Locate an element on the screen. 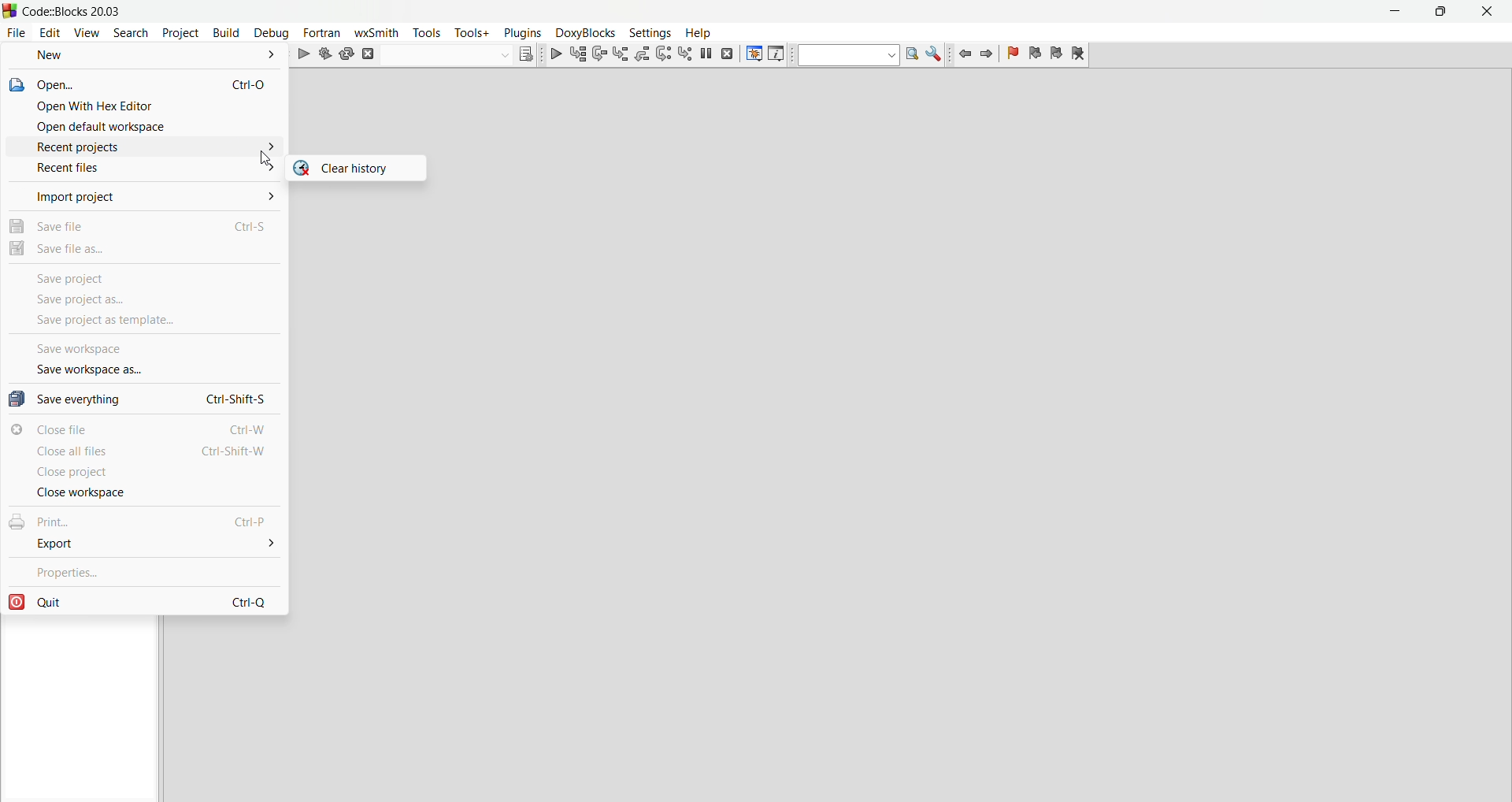  clsoe project is located at coordinates (145, 473).